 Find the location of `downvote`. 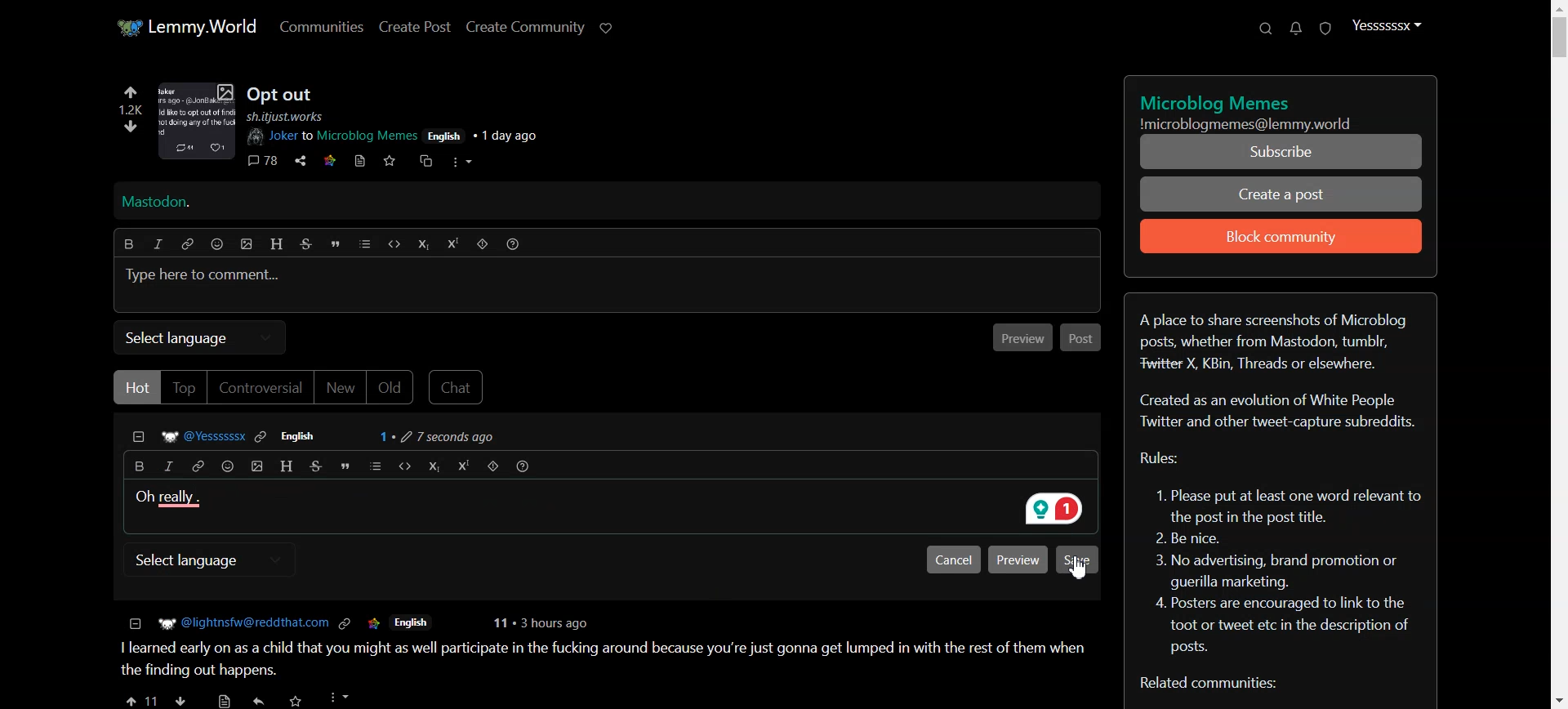

downvote is located at coordinates (181, 697).